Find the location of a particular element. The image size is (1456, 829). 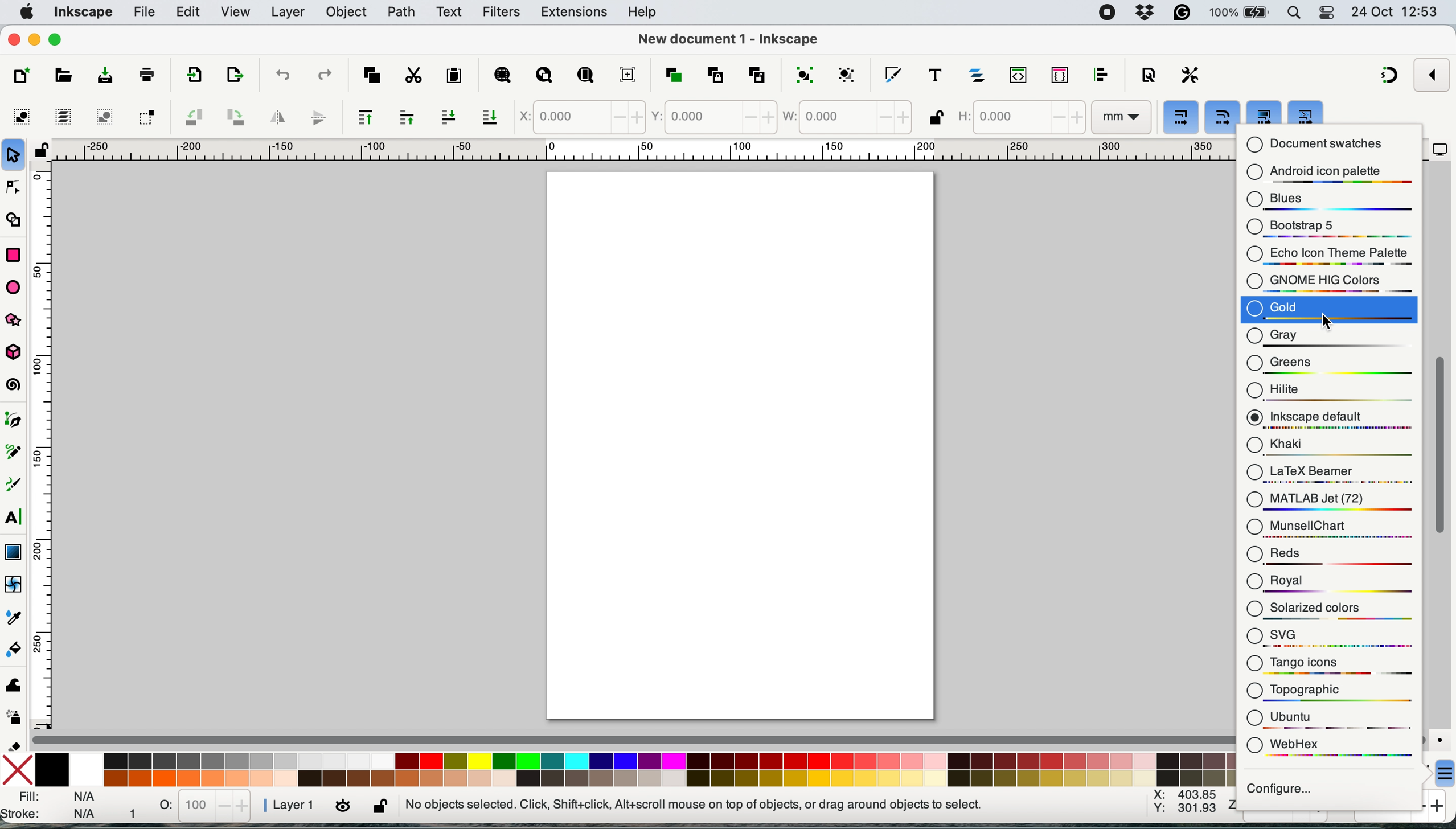

object is located at coordinates (350, 13).